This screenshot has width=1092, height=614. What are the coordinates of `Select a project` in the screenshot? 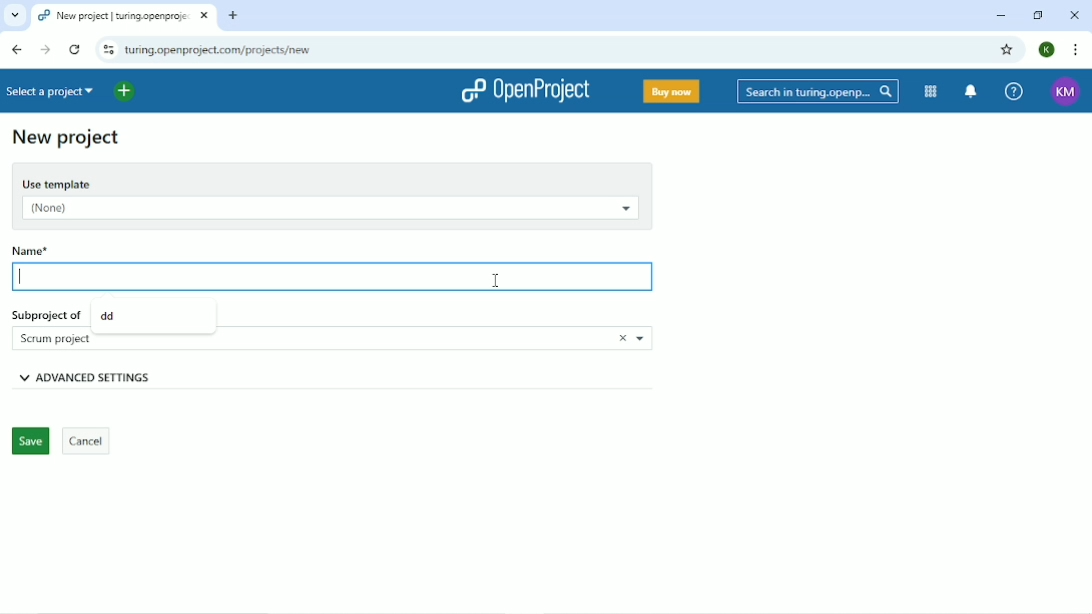 It's located at (53, 91).